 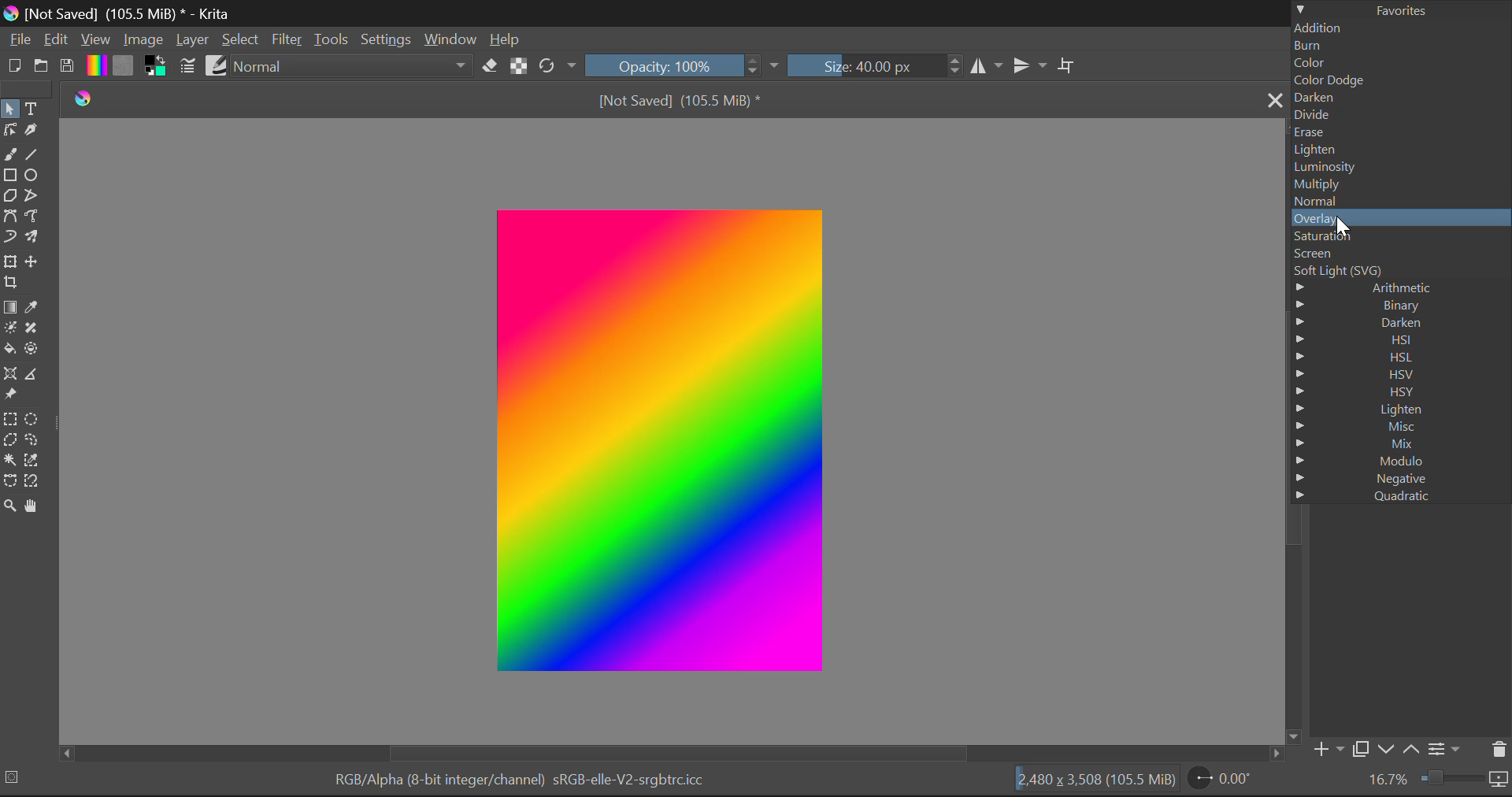 I want to click on Eyedropper, so click(x=35, y=307).